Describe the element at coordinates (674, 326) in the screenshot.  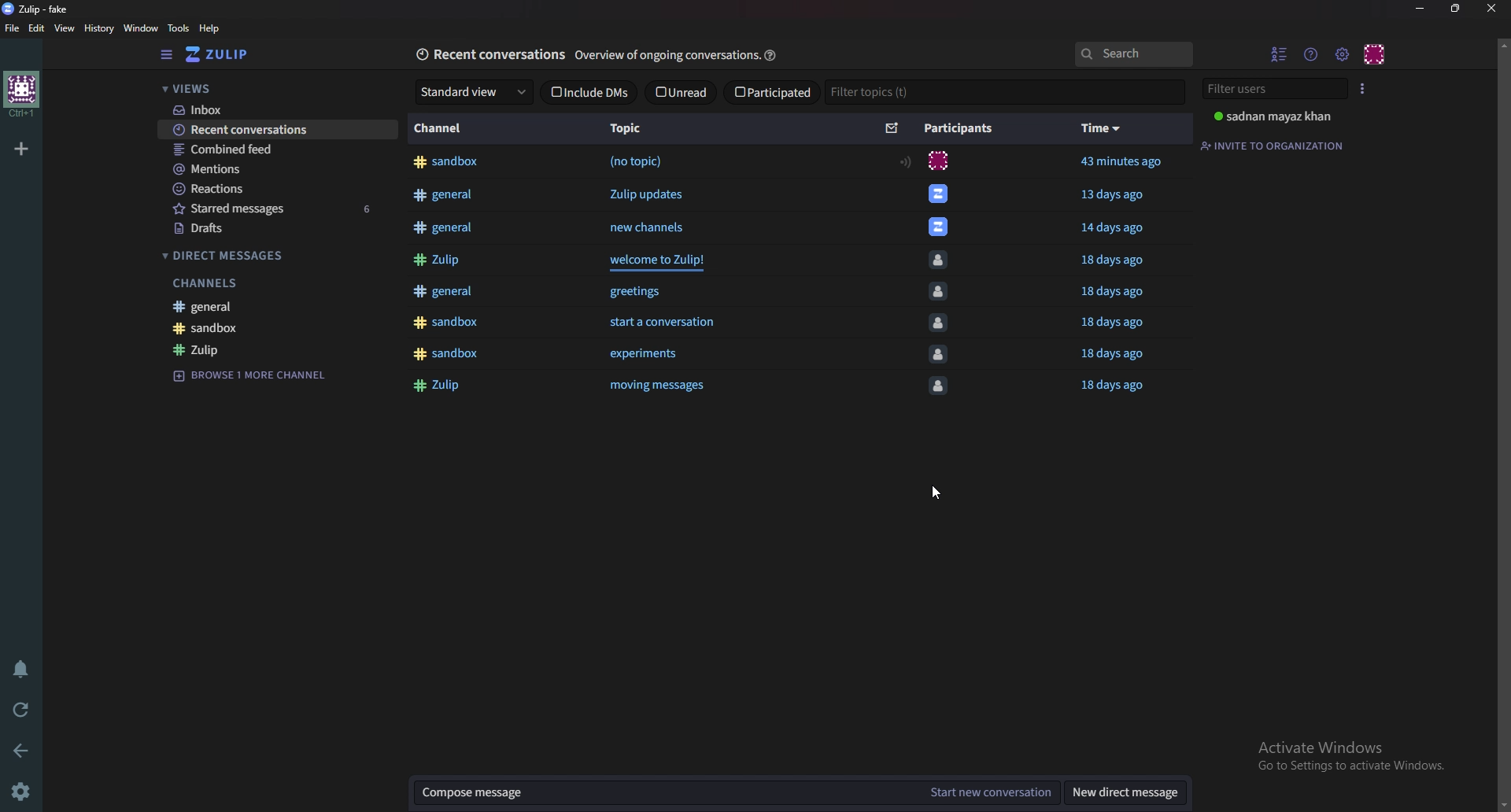
I see `start a conversation` at that location.